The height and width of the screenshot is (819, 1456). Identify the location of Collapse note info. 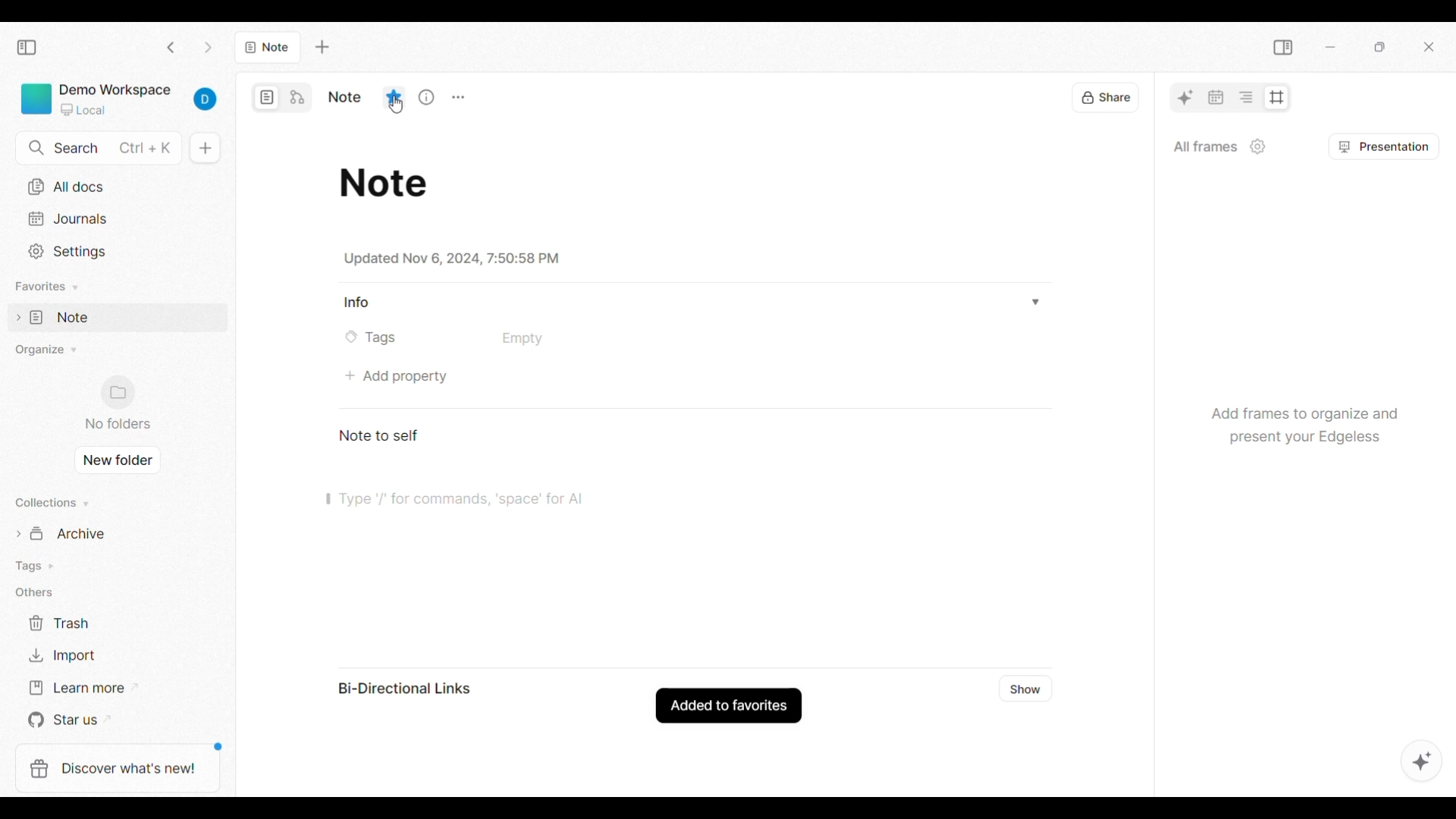
(1034, 301).